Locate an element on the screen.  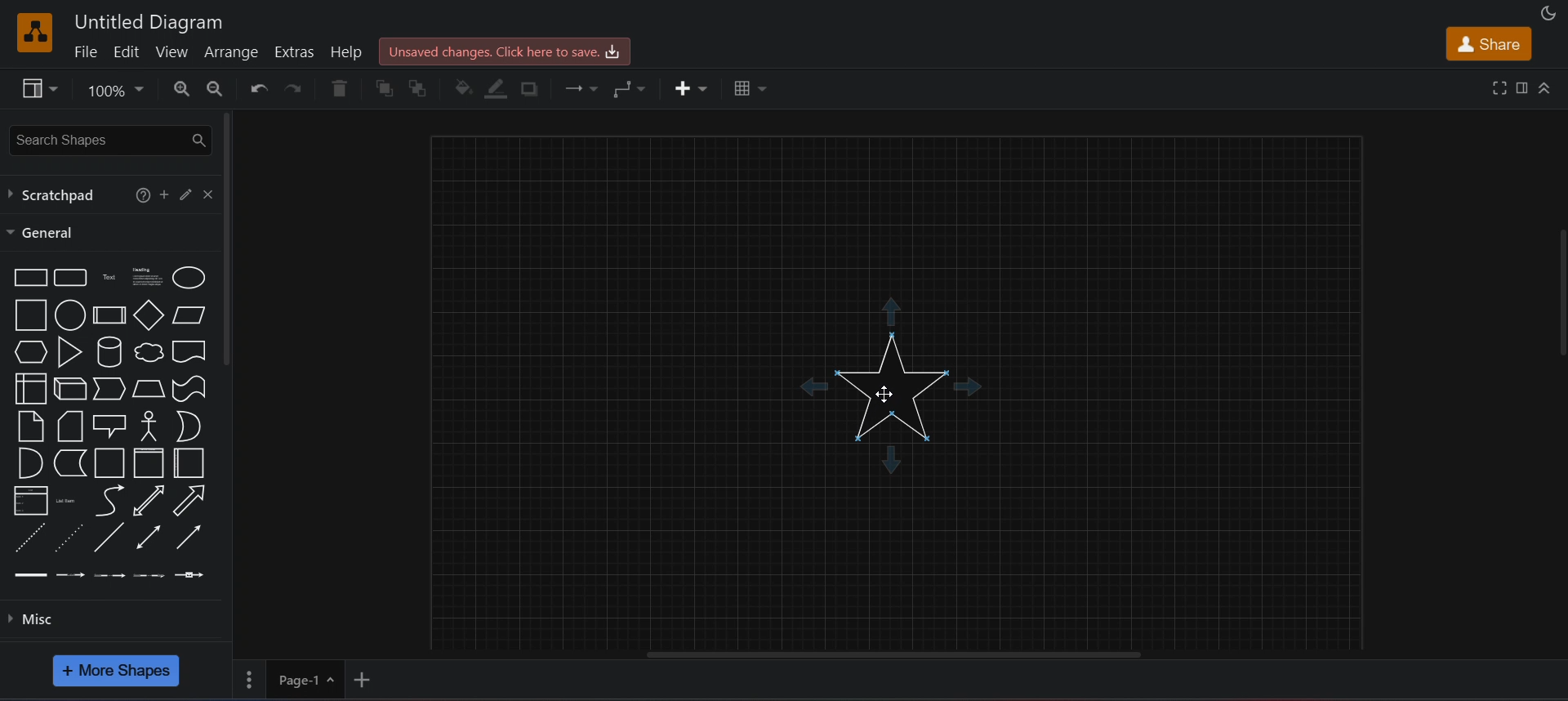
add is located at coordinates (164, 194).